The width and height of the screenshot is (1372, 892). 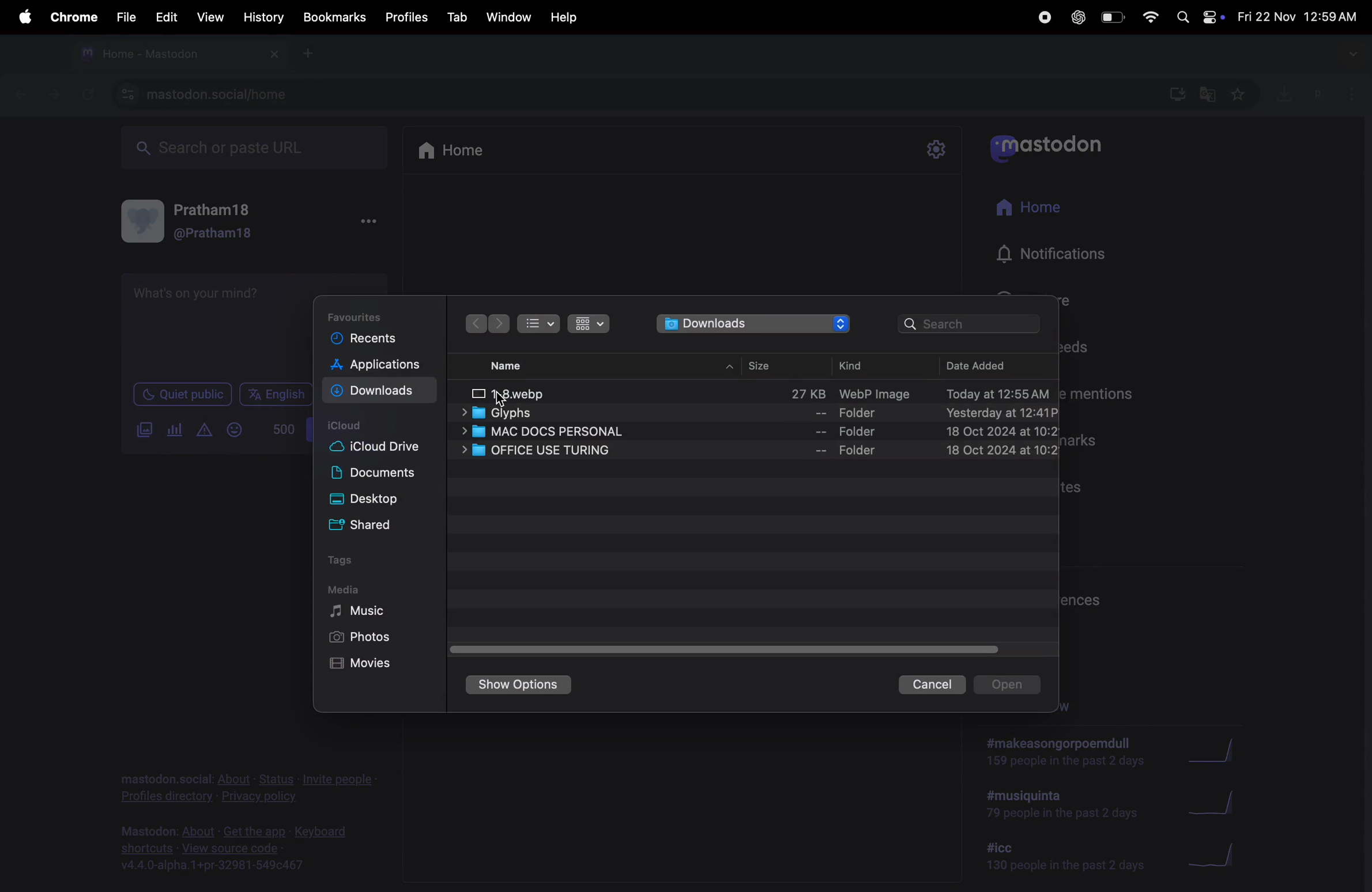 What do you see at coordinates (1184, 16) in the screenshot?
I see `spotlight search` at bounding box center [1184, 16].